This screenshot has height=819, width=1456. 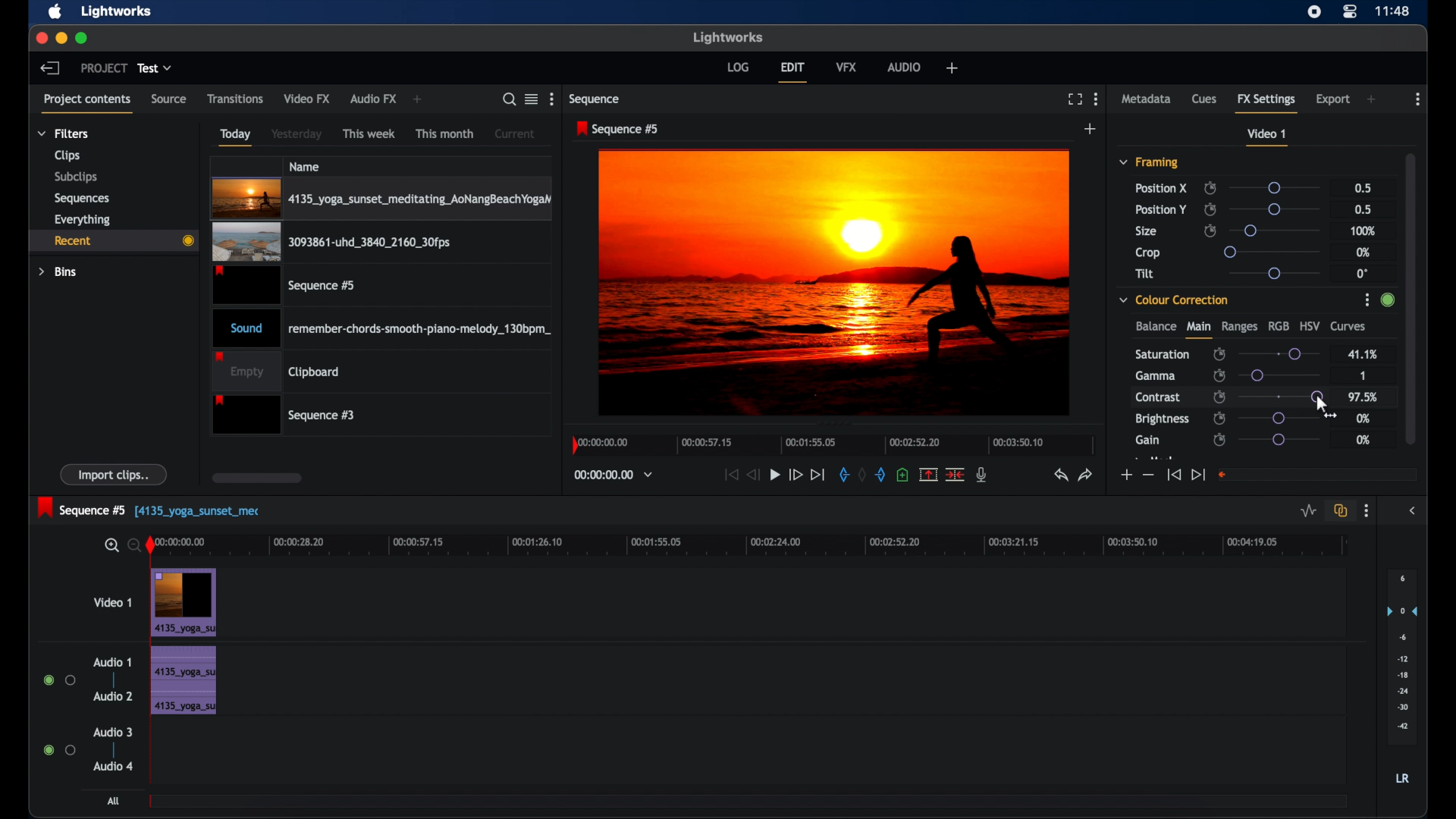 What do you see at coordinates (775, 475) in the screenshot?
I see `play ` at bounding box center [775, 475].